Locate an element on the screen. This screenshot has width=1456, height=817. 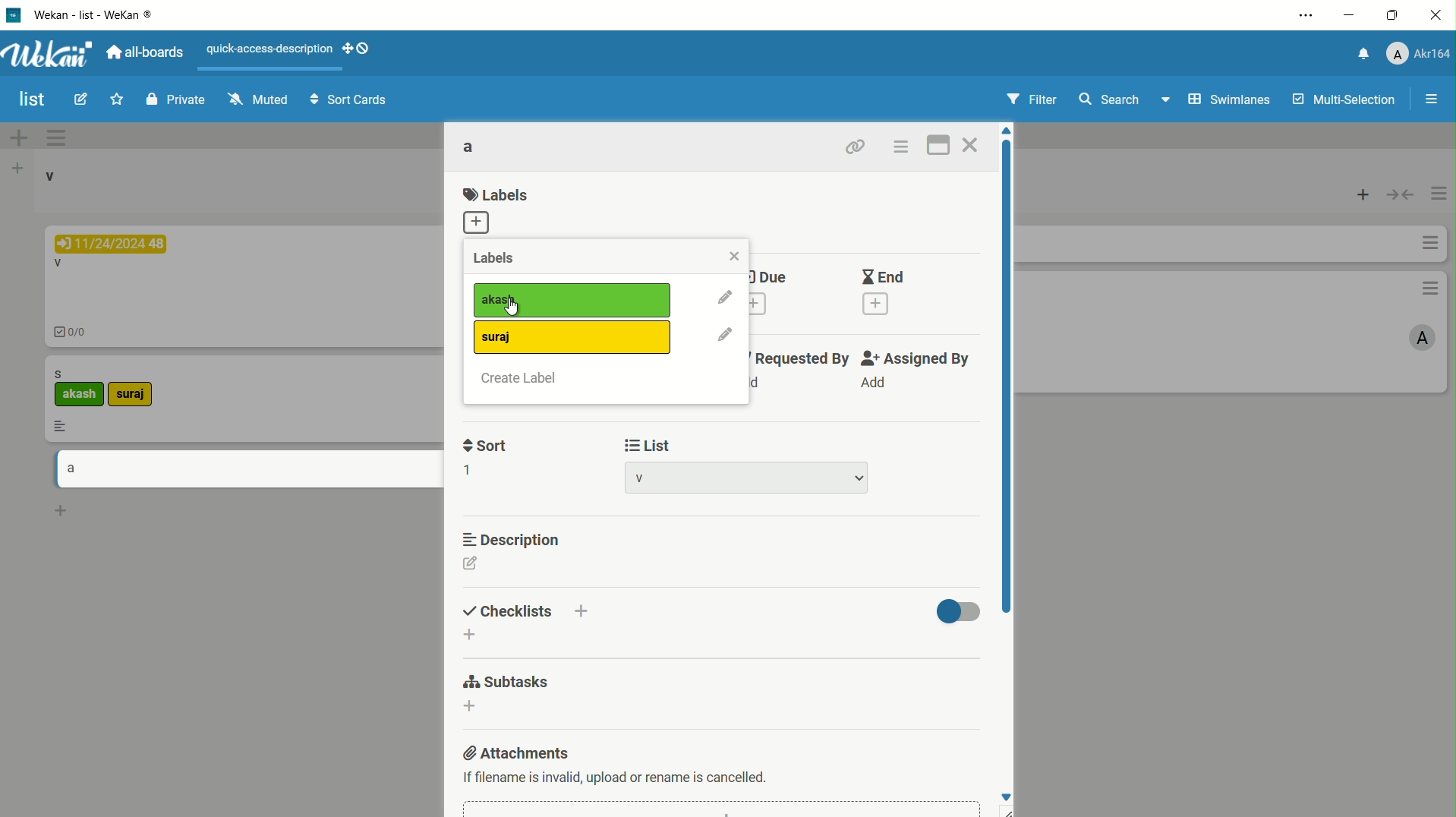
list is located at coordinates (649, 446).